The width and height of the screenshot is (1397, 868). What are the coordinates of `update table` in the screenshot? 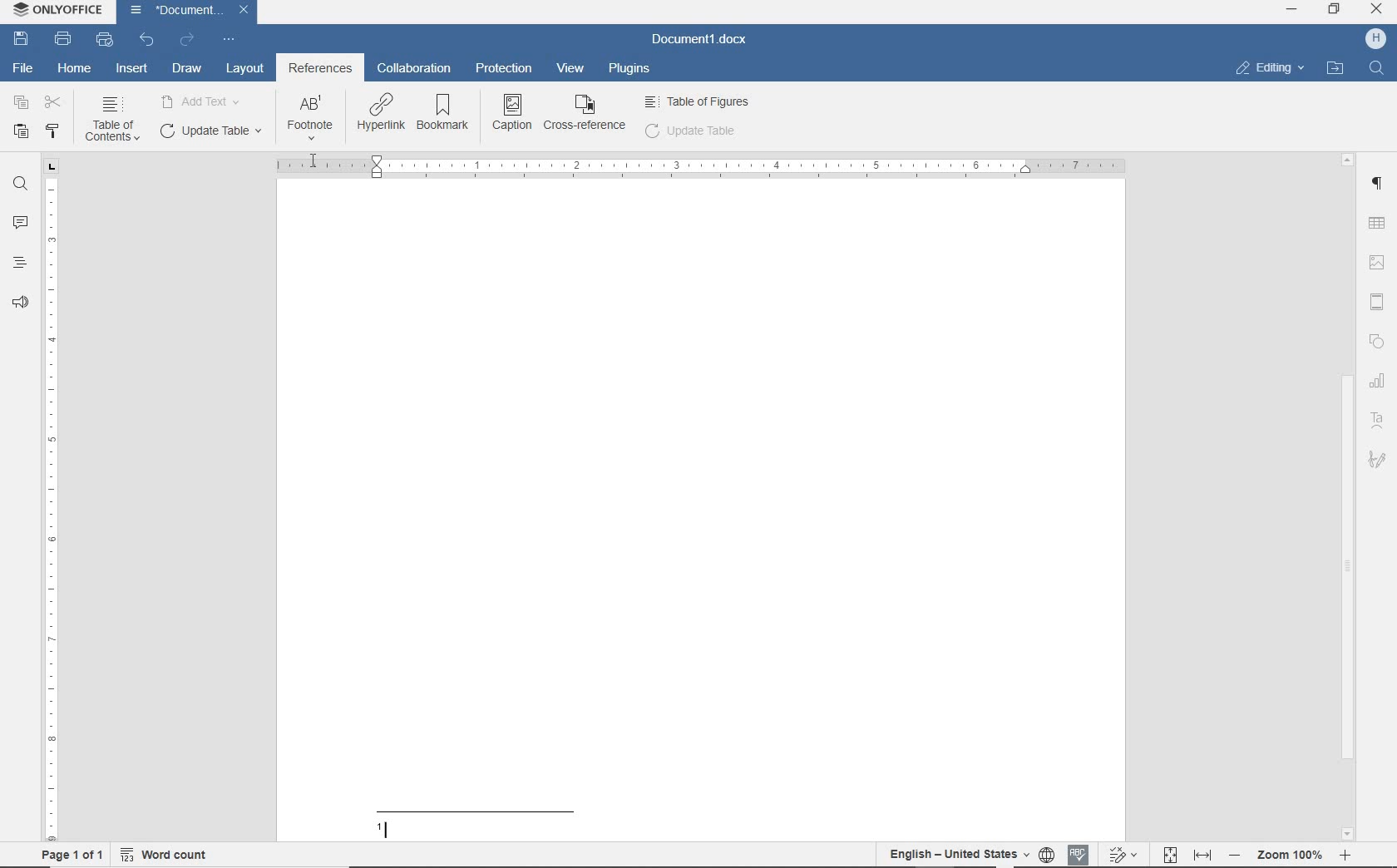 It's located at (209, 131).